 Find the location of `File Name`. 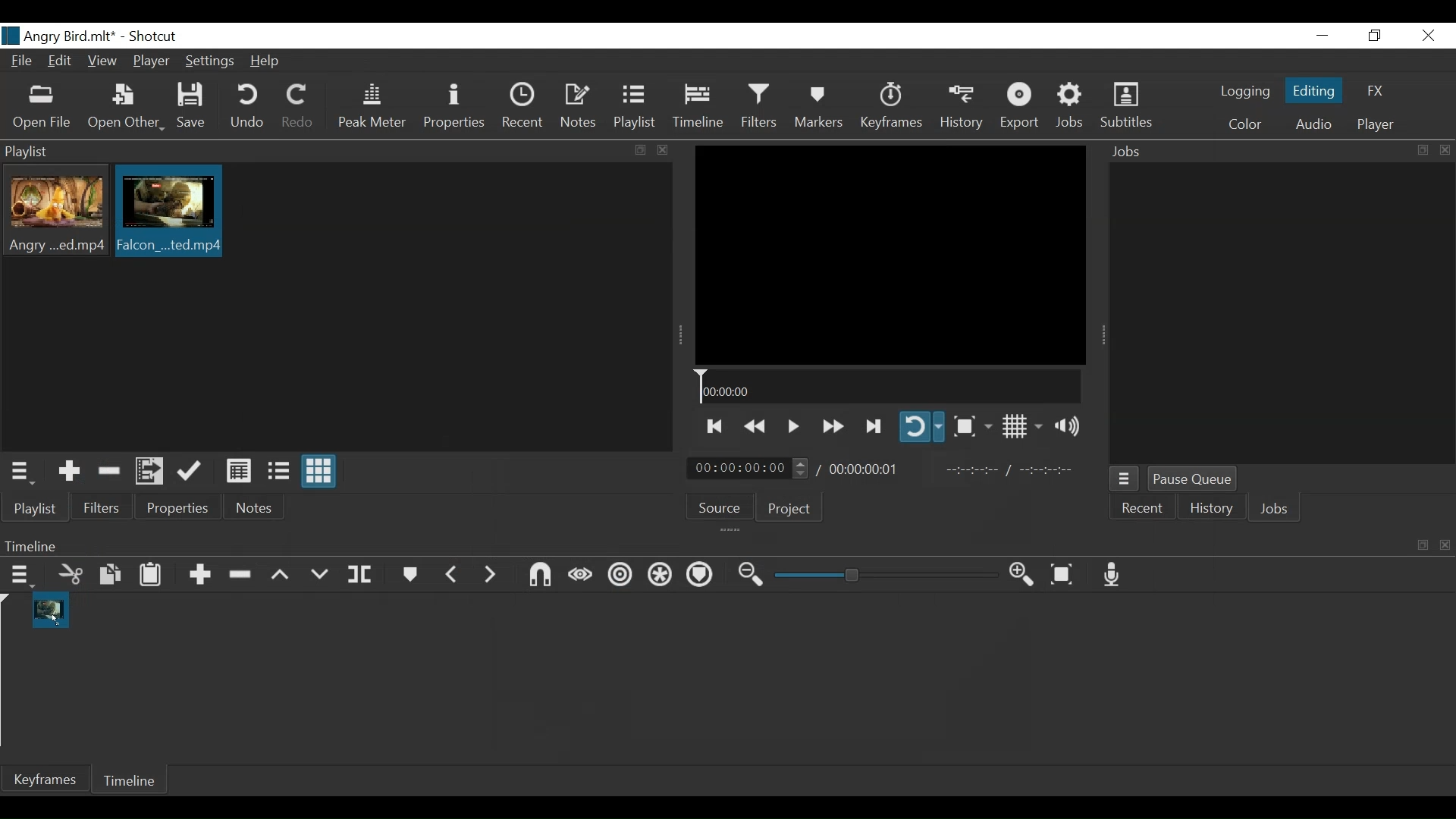

File Name is located at coordinates (24, 63).